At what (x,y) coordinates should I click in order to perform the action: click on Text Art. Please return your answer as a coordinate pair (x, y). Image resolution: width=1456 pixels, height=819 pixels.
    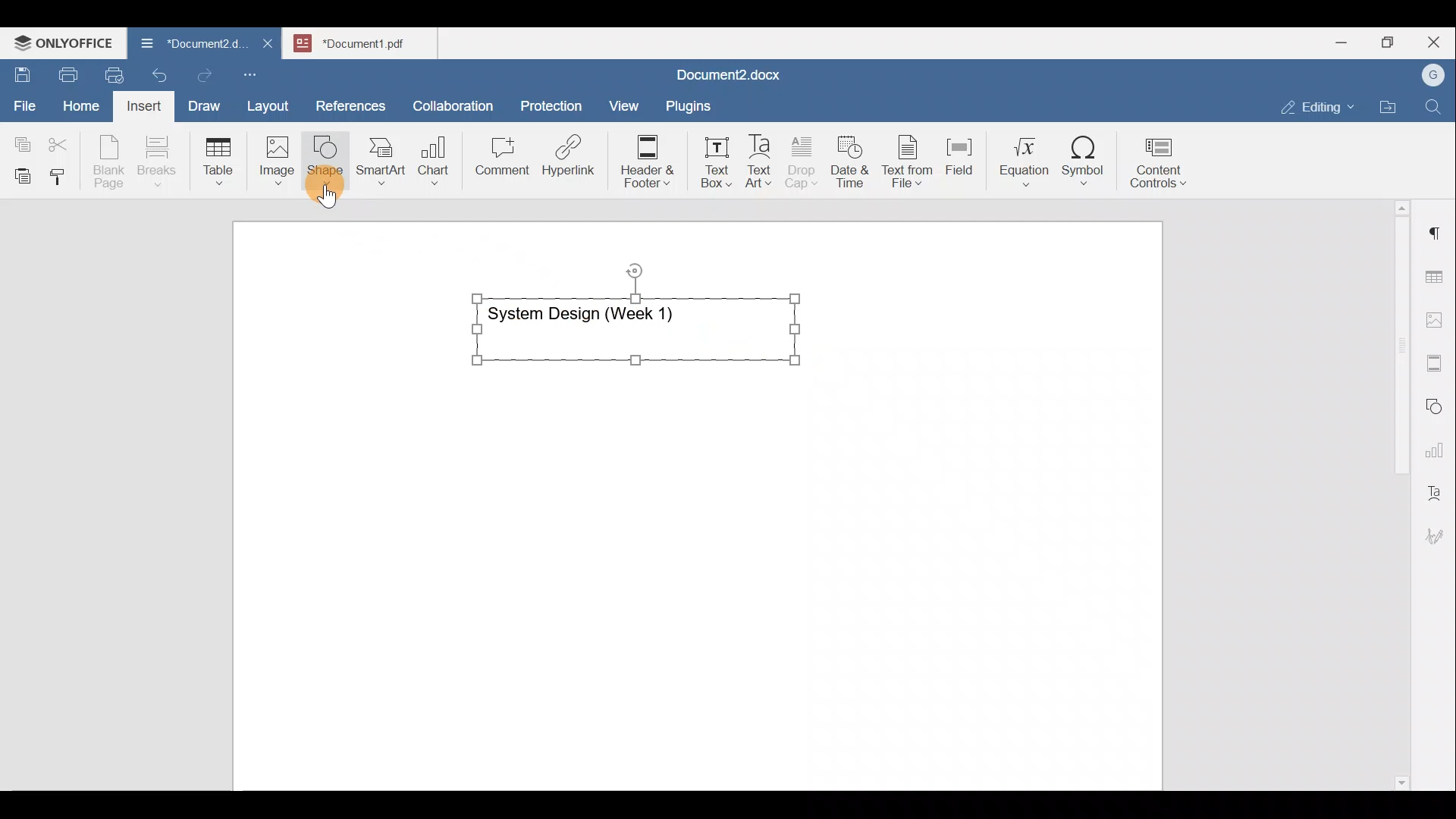
    Looking at the image, I should click on (760, 162).